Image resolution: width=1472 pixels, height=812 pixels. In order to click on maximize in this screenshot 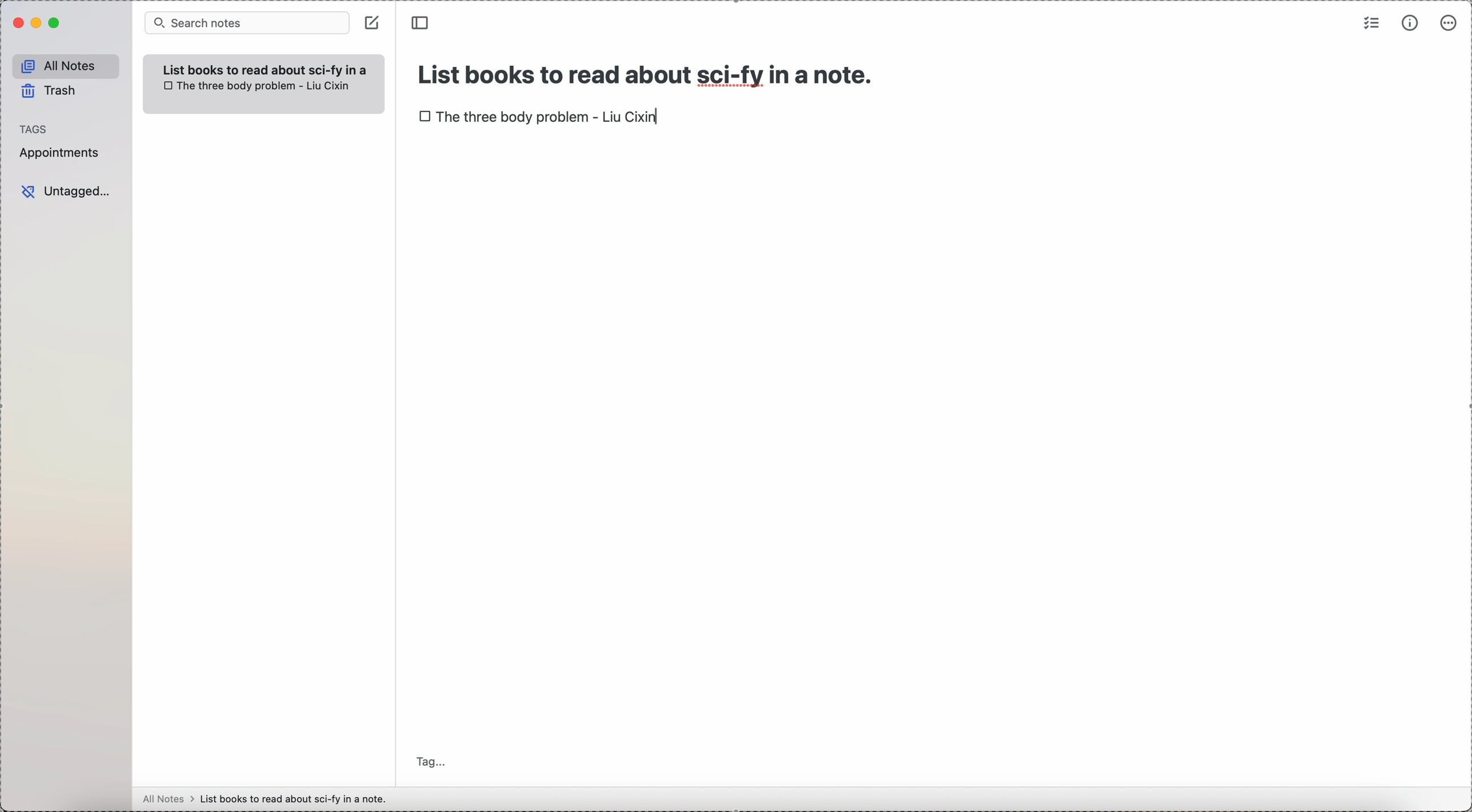, I will do `click(54, 25)`.